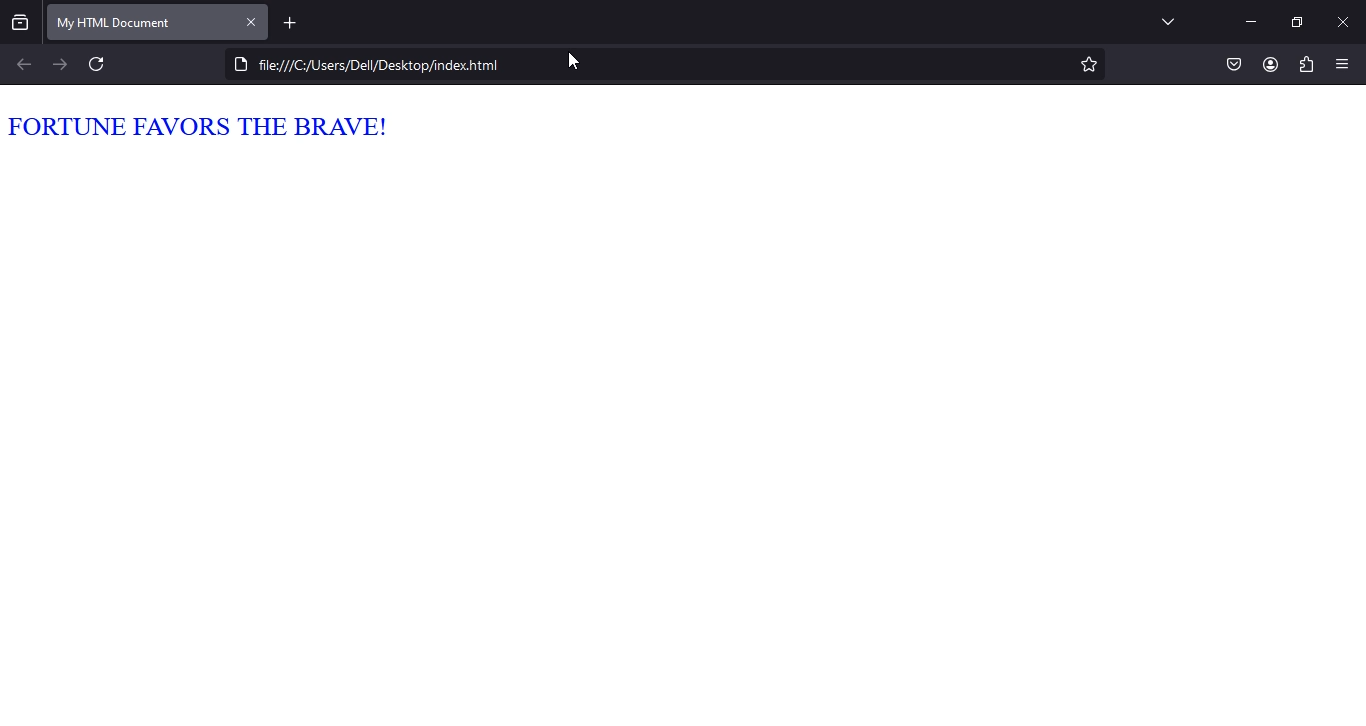  Describe the element at coordinates (1091, 65) in the screenshot. I see `bookmark` at that location.